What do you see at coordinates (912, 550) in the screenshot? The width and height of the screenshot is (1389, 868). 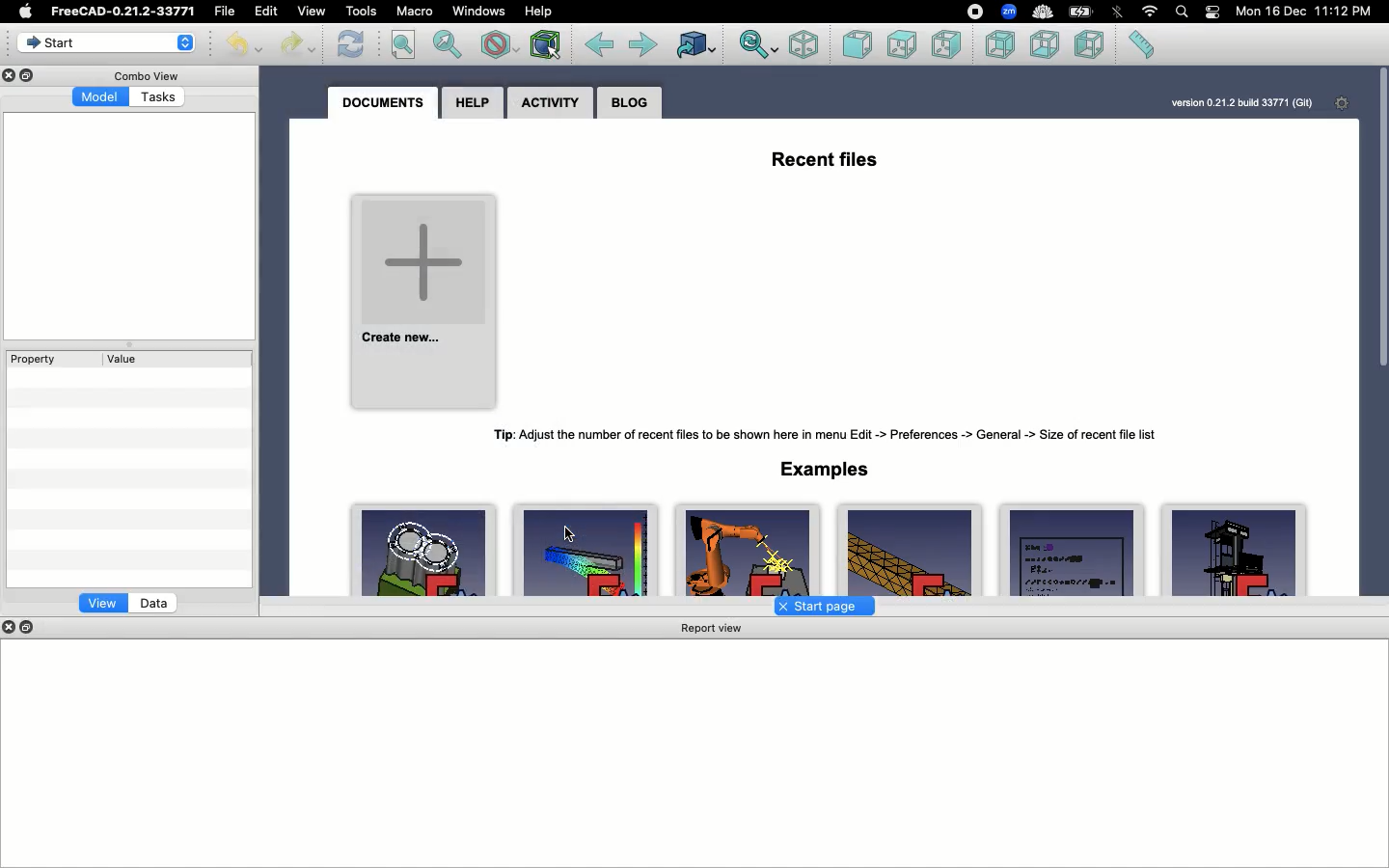 I see `FemCalculixCantilever3D_newSolver.Fcstd 158Kb` at bounding box center [912, 550].